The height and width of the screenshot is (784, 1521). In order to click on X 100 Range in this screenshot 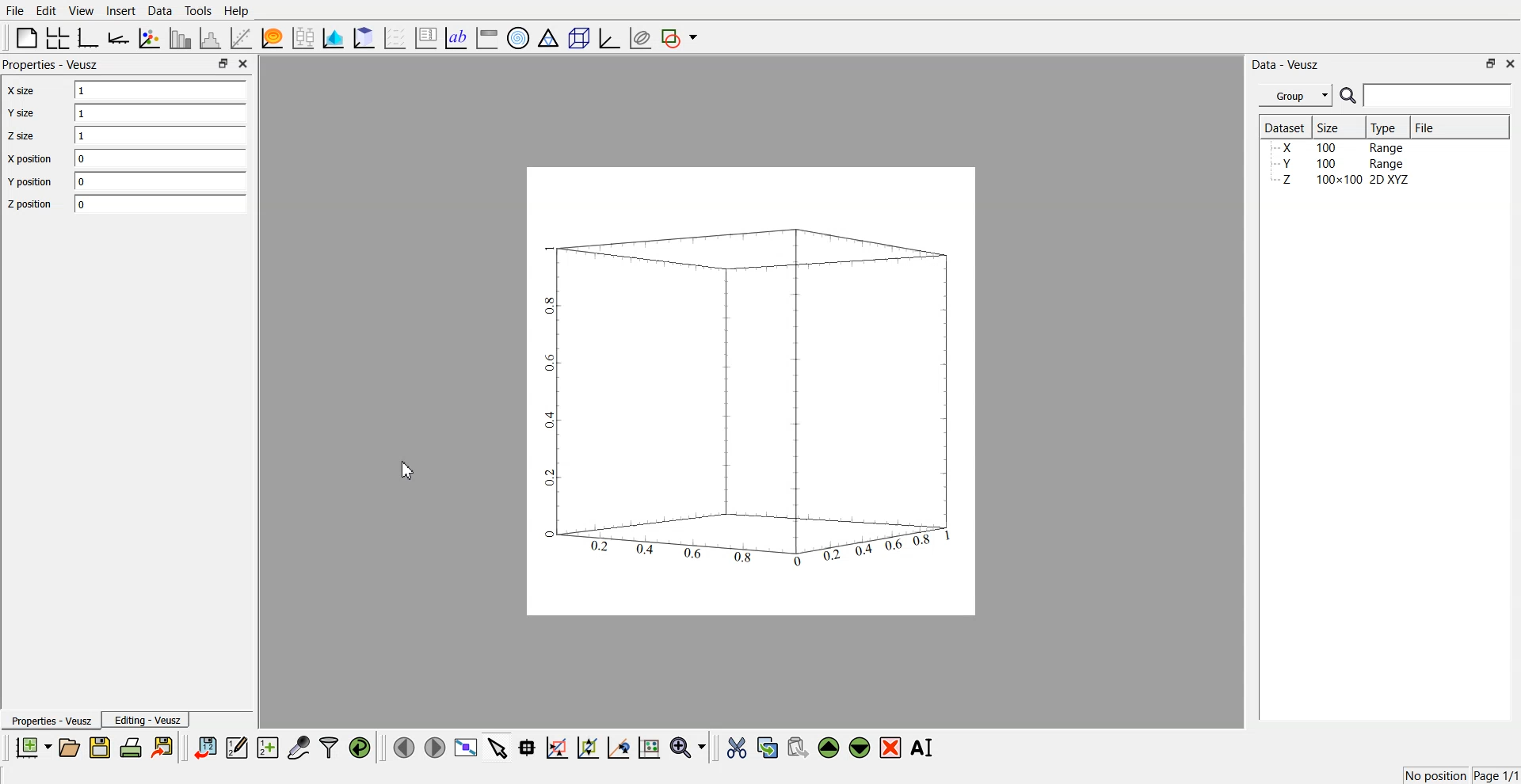, I will do `click(1341, 147)`.